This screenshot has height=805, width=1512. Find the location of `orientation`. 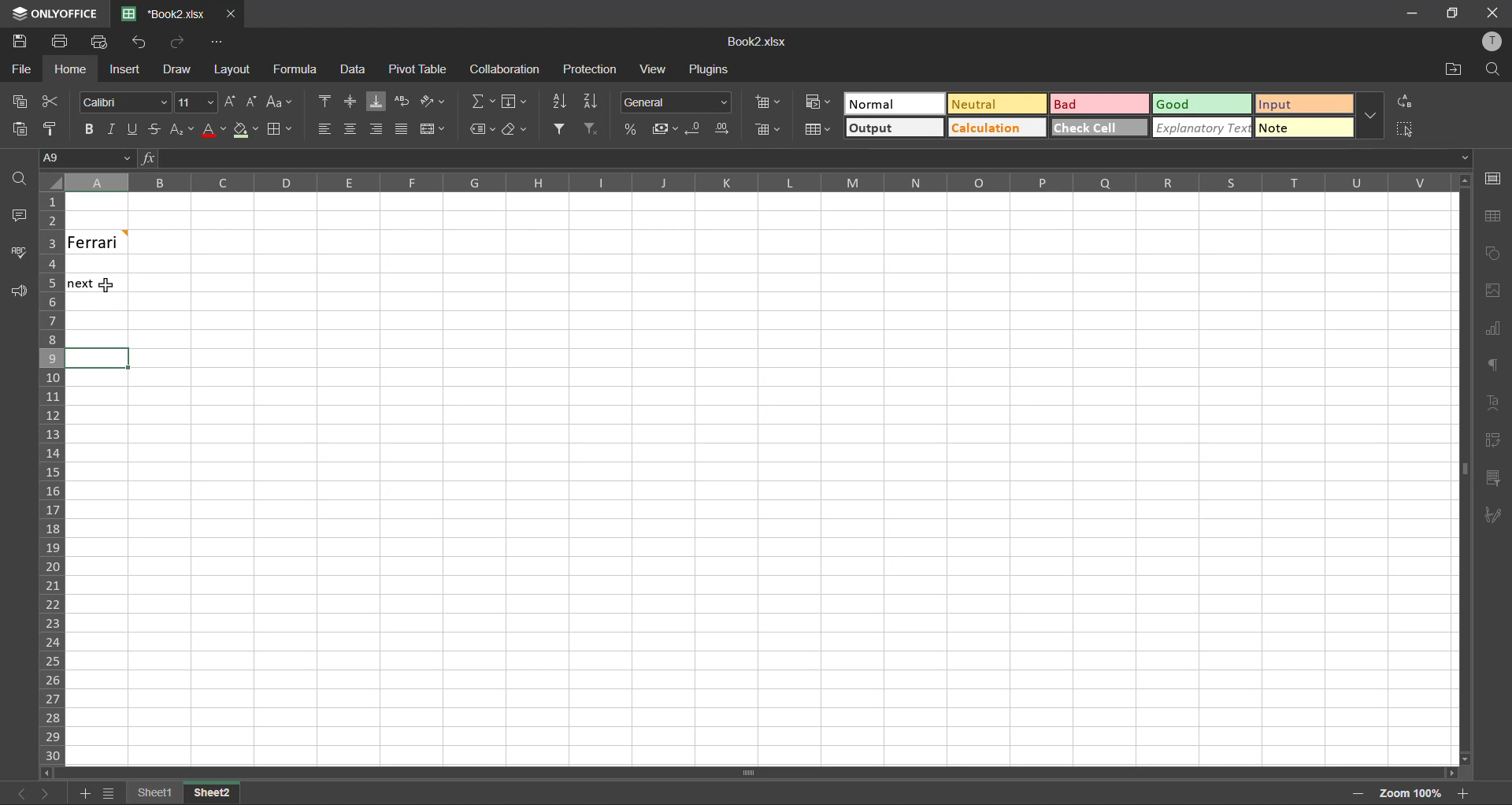

orientation is located at coordinates (434, 99).